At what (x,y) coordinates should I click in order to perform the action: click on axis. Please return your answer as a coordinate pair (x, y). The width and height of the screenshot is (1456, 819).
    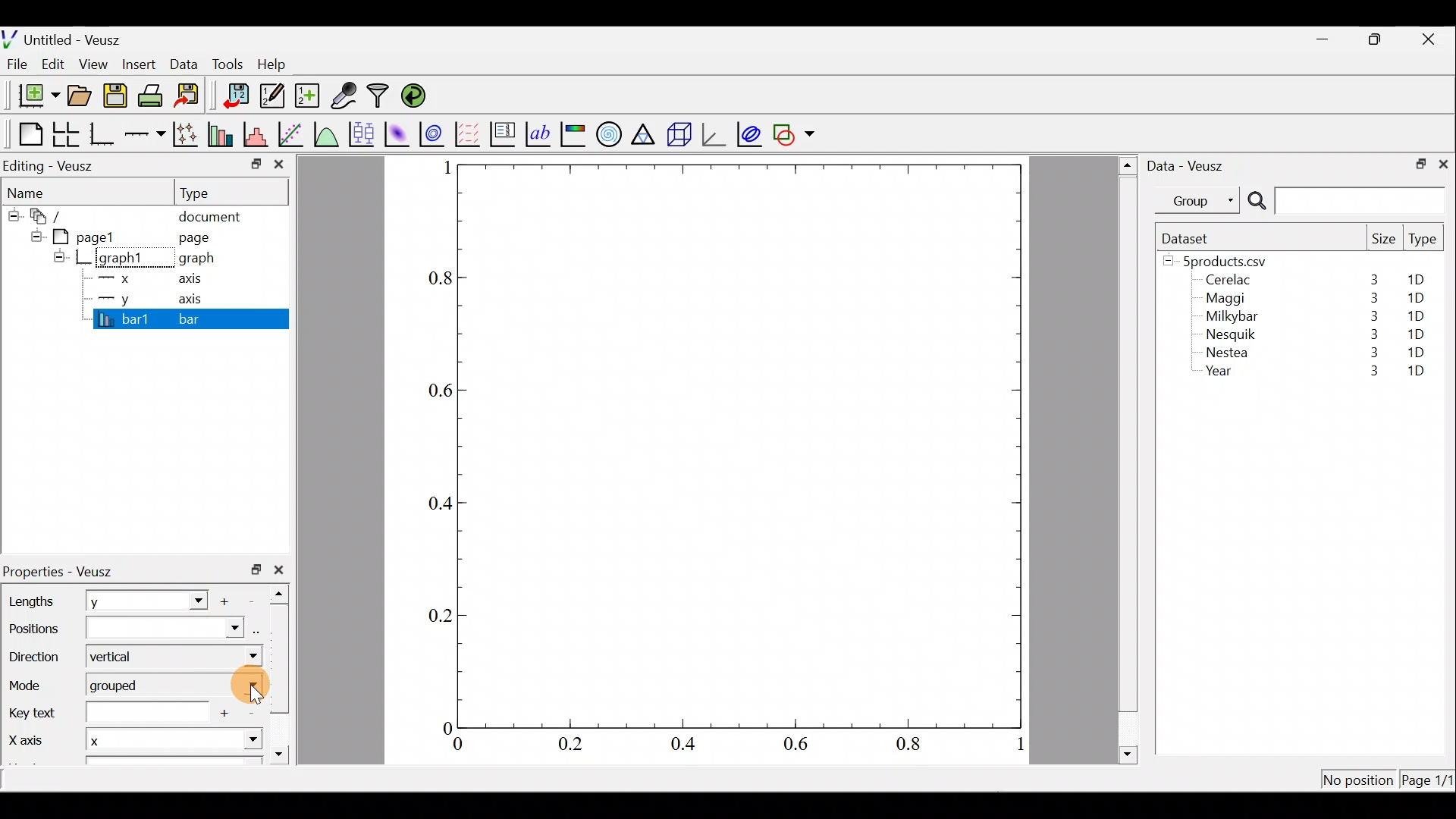
    Looking at the image, I should click on (197, 300).